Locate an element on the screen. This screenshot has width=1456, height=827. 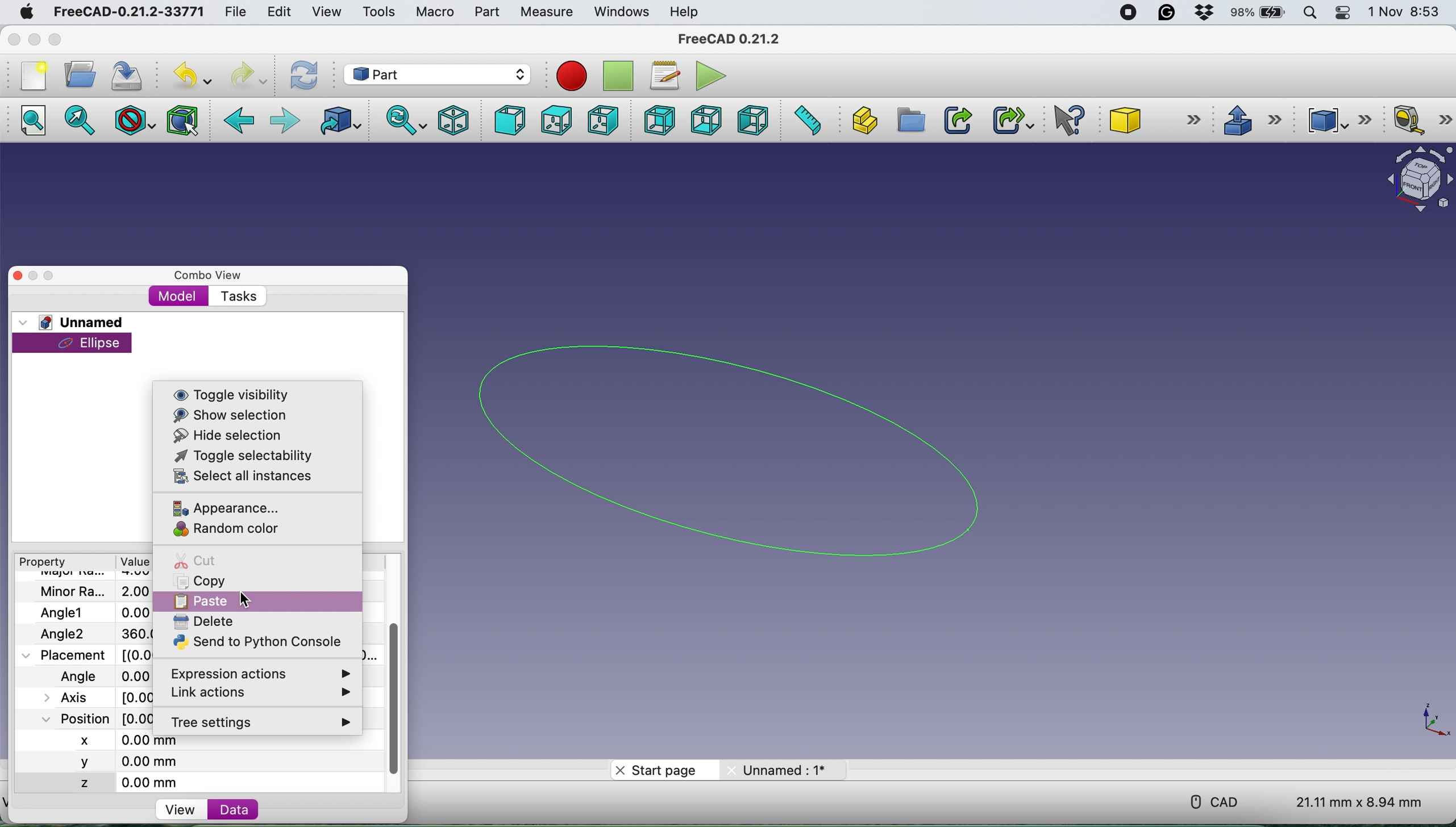
extrude is located at coordinates (1254, 122).